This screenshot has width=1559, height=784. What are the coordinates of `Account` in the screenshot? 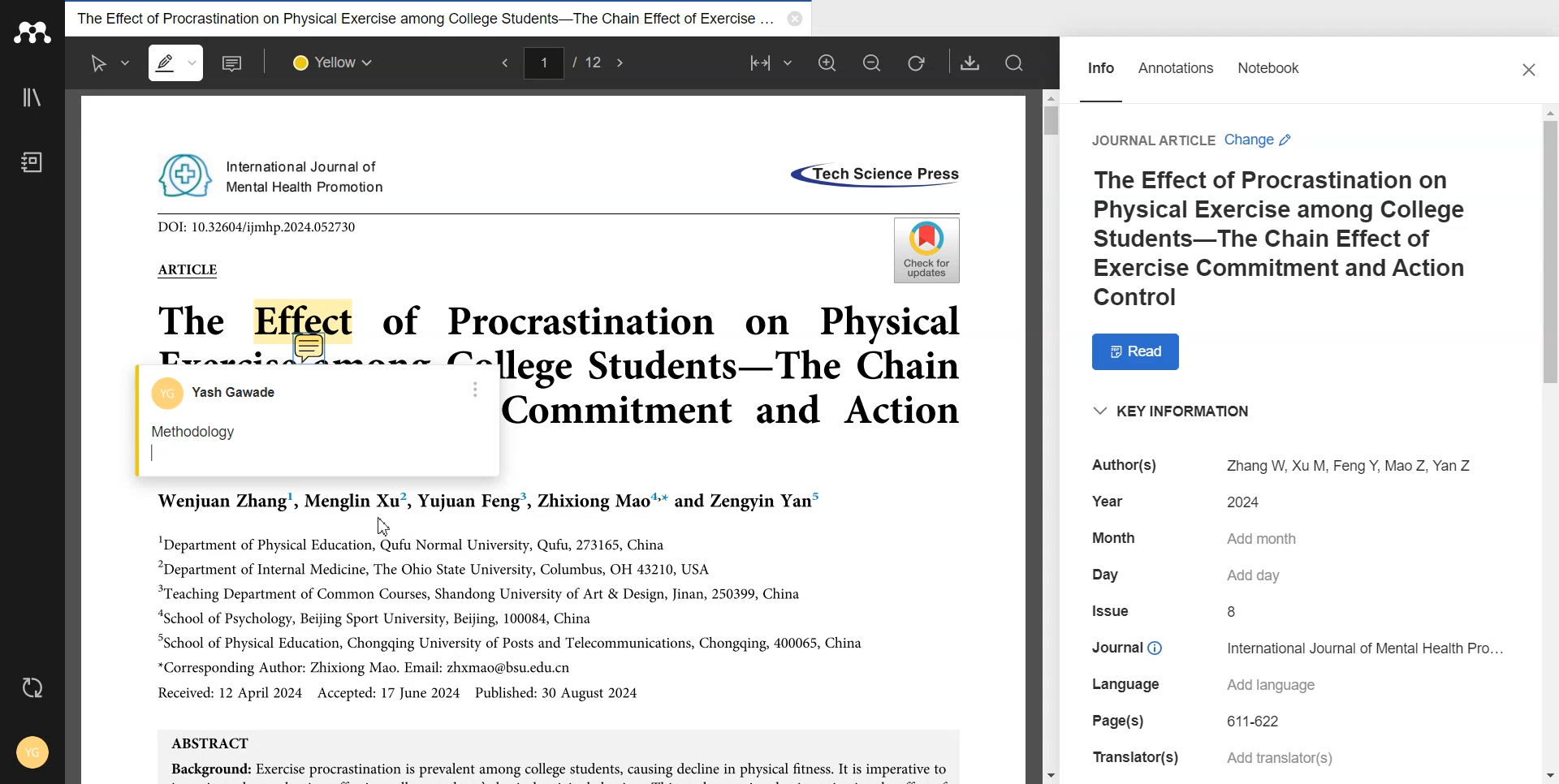 It's located at (221, 392).